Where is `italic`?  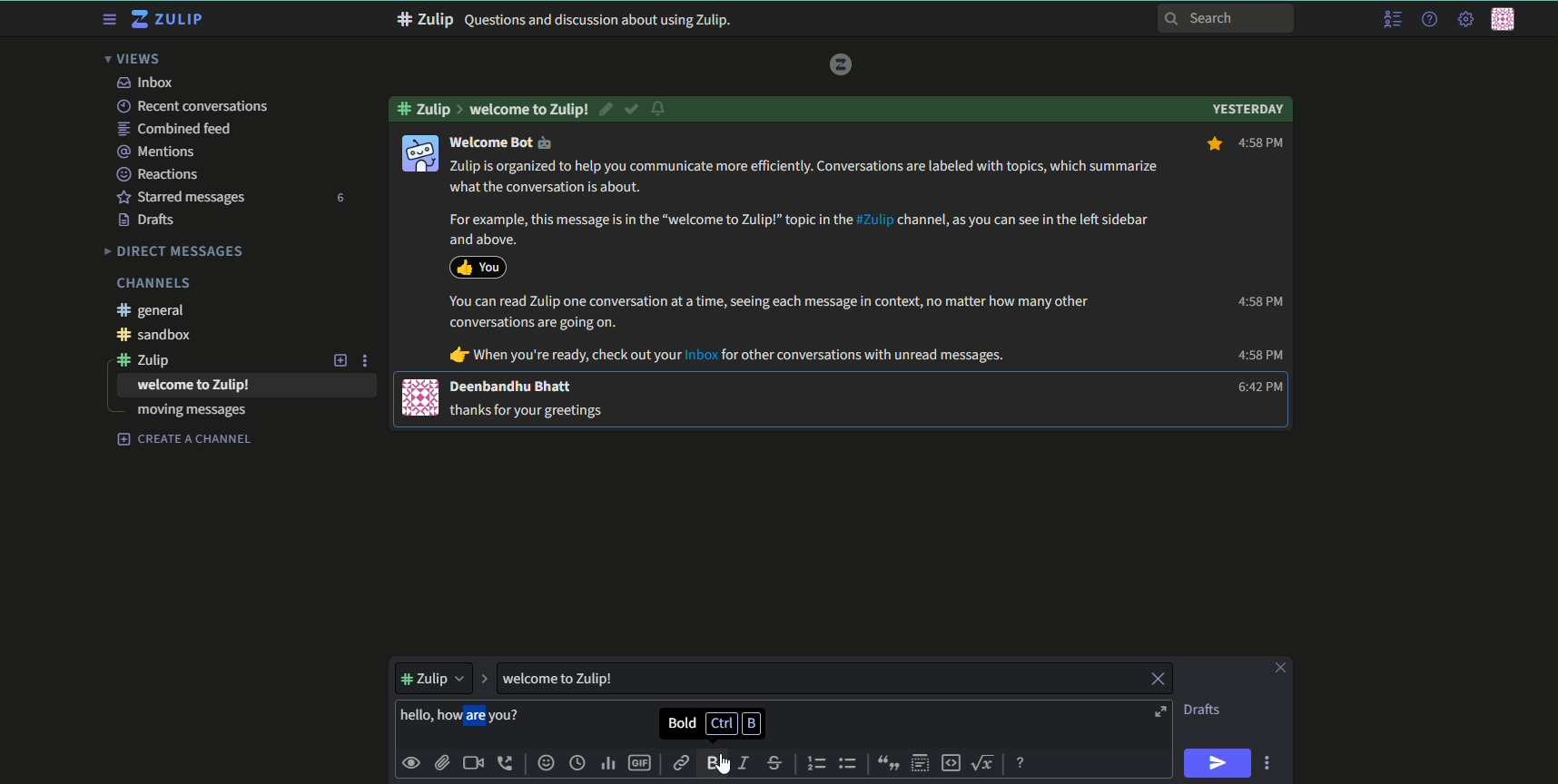 italic is located at coordinates (748, 764).